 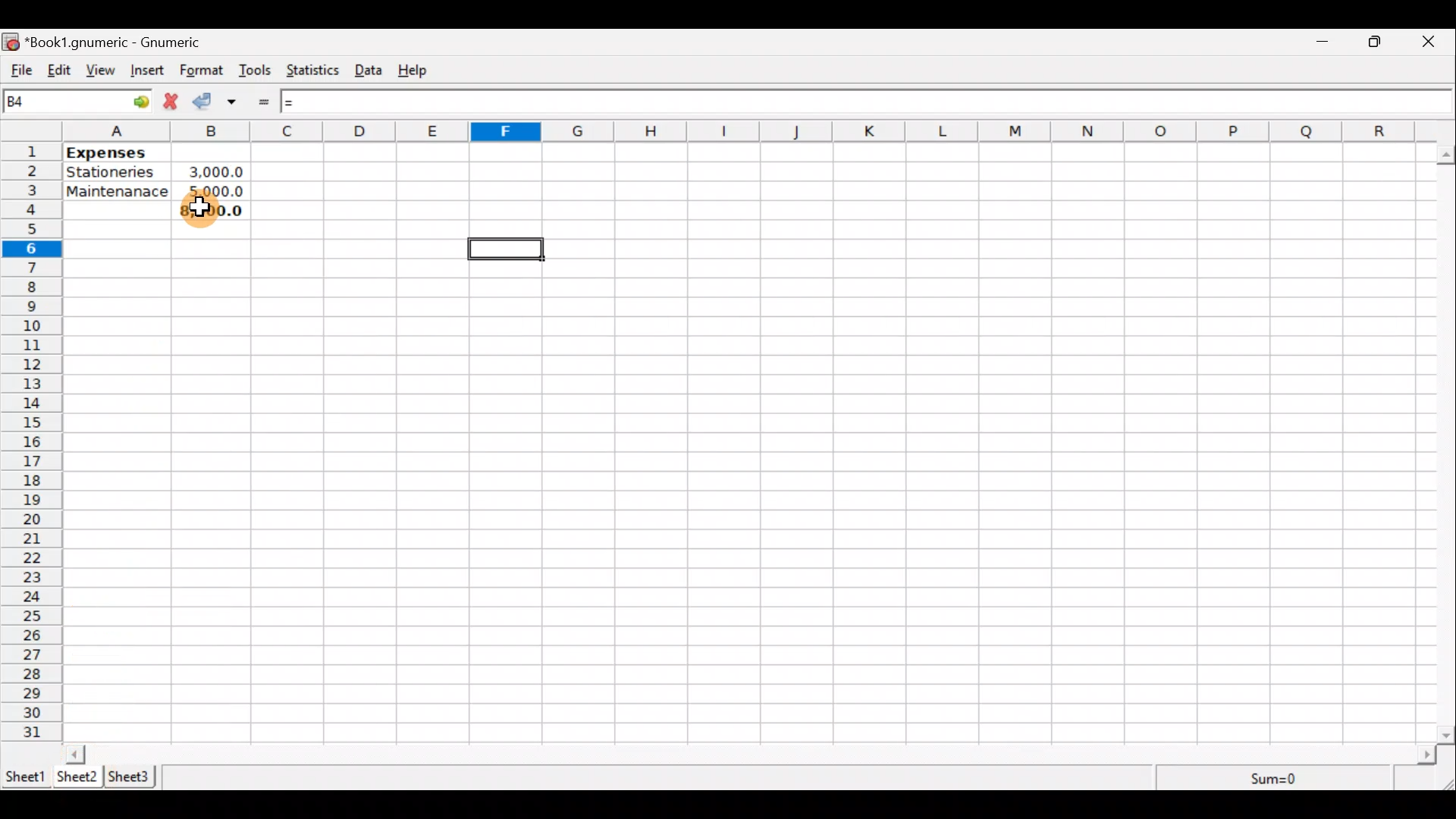 I want to click on Cell name, so click(x=78, y=101).